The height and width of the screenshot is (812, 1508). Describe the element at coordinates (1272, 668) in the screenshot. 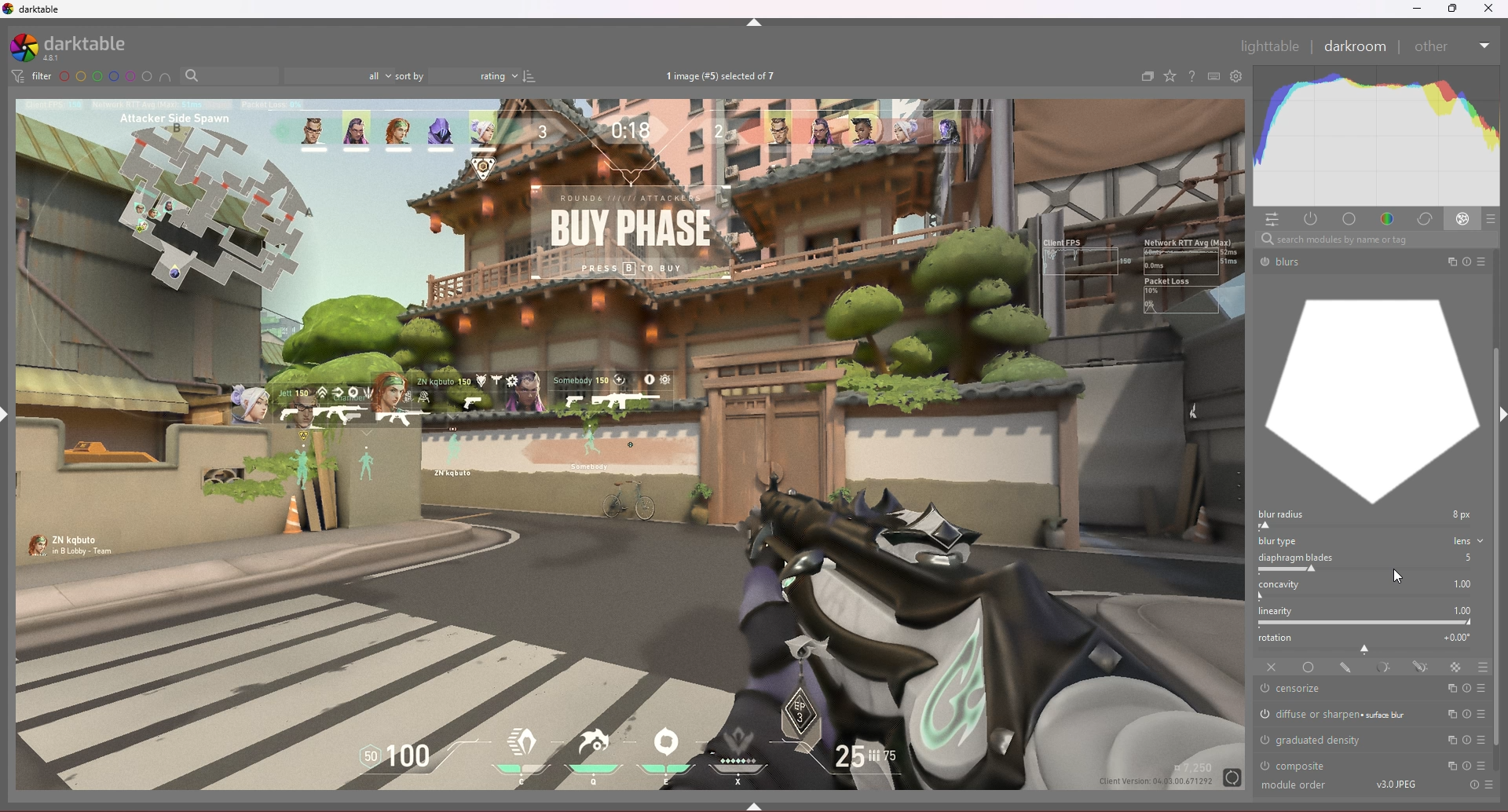

I see `off` at that location.